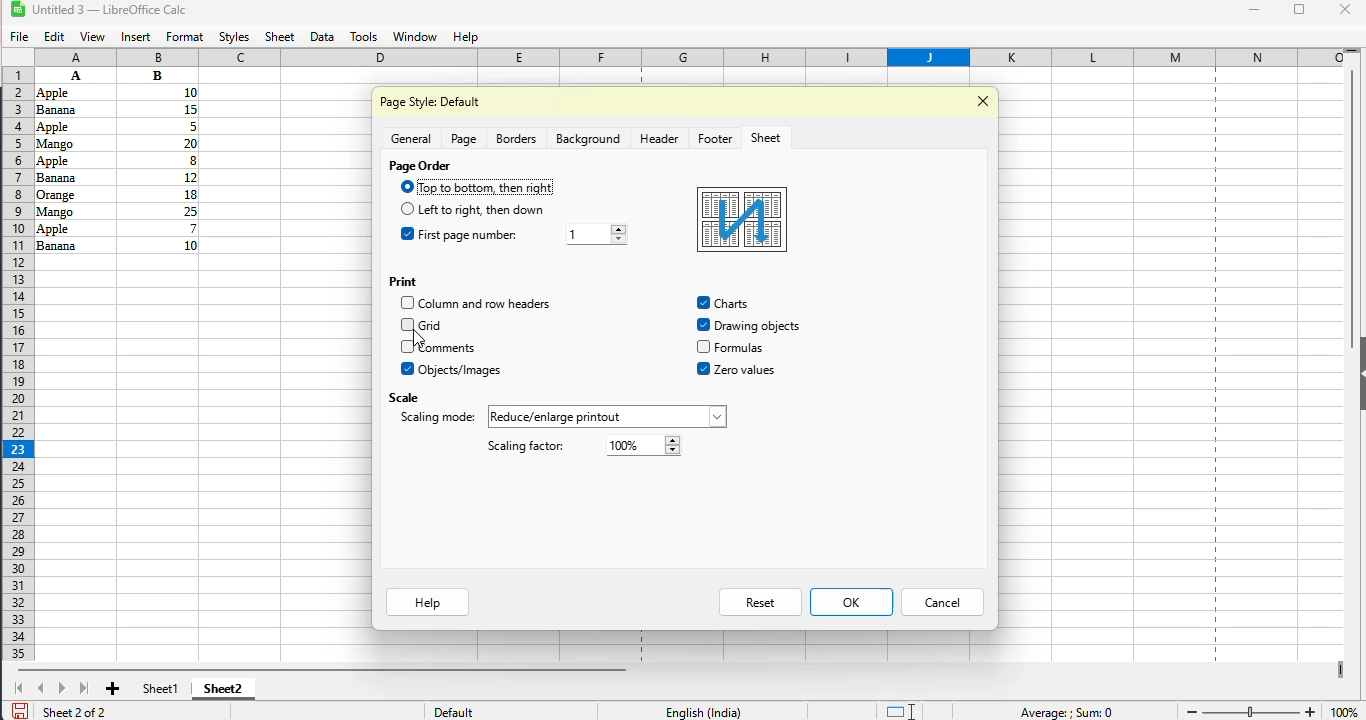 The image size is (1366, 720). What do you see at coordinates (235, 38) in the screenshot?
I see `styles` at bounding box center [235, 38].